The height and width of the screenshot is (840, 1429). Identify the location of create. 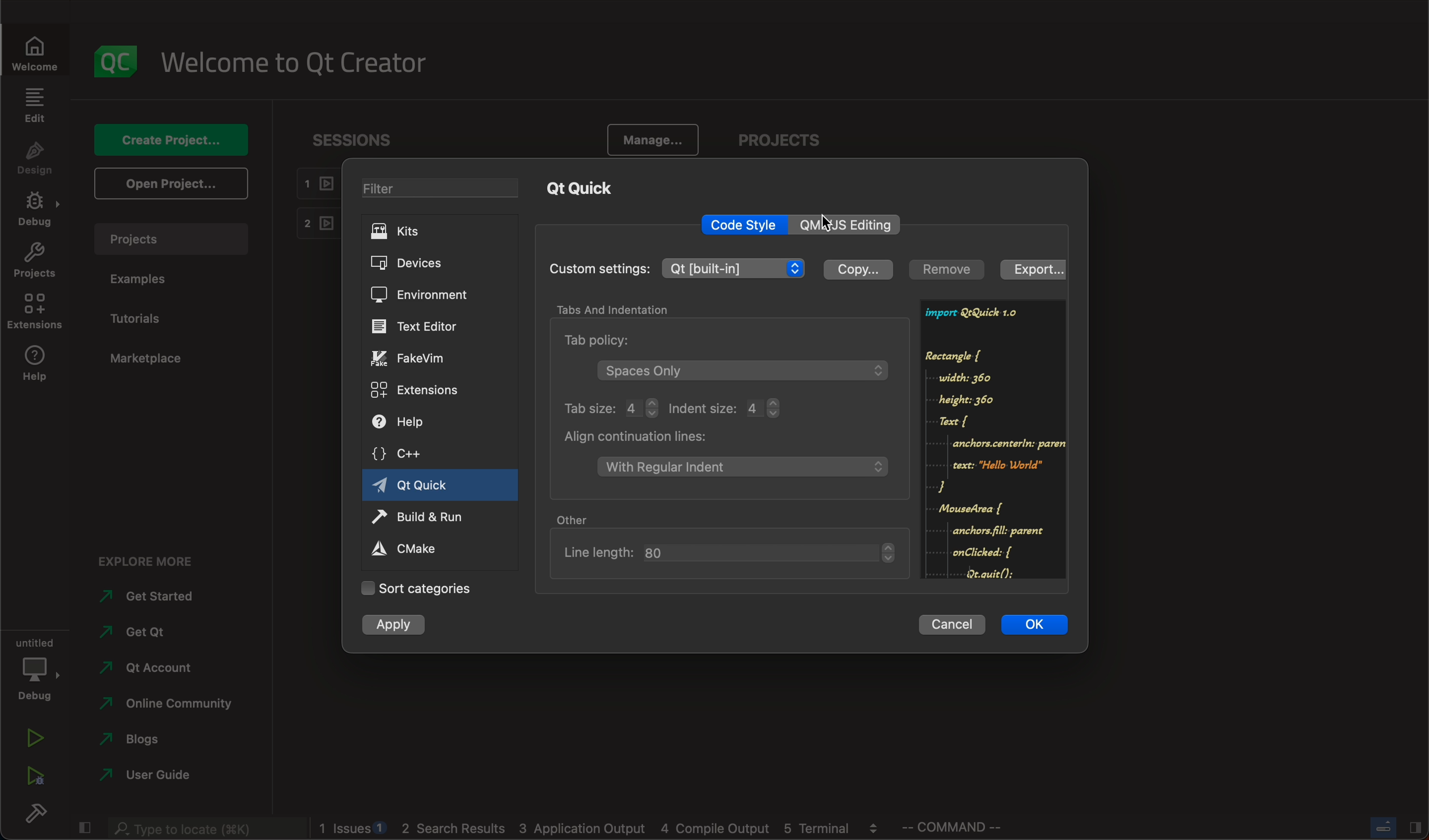
(172, 141).